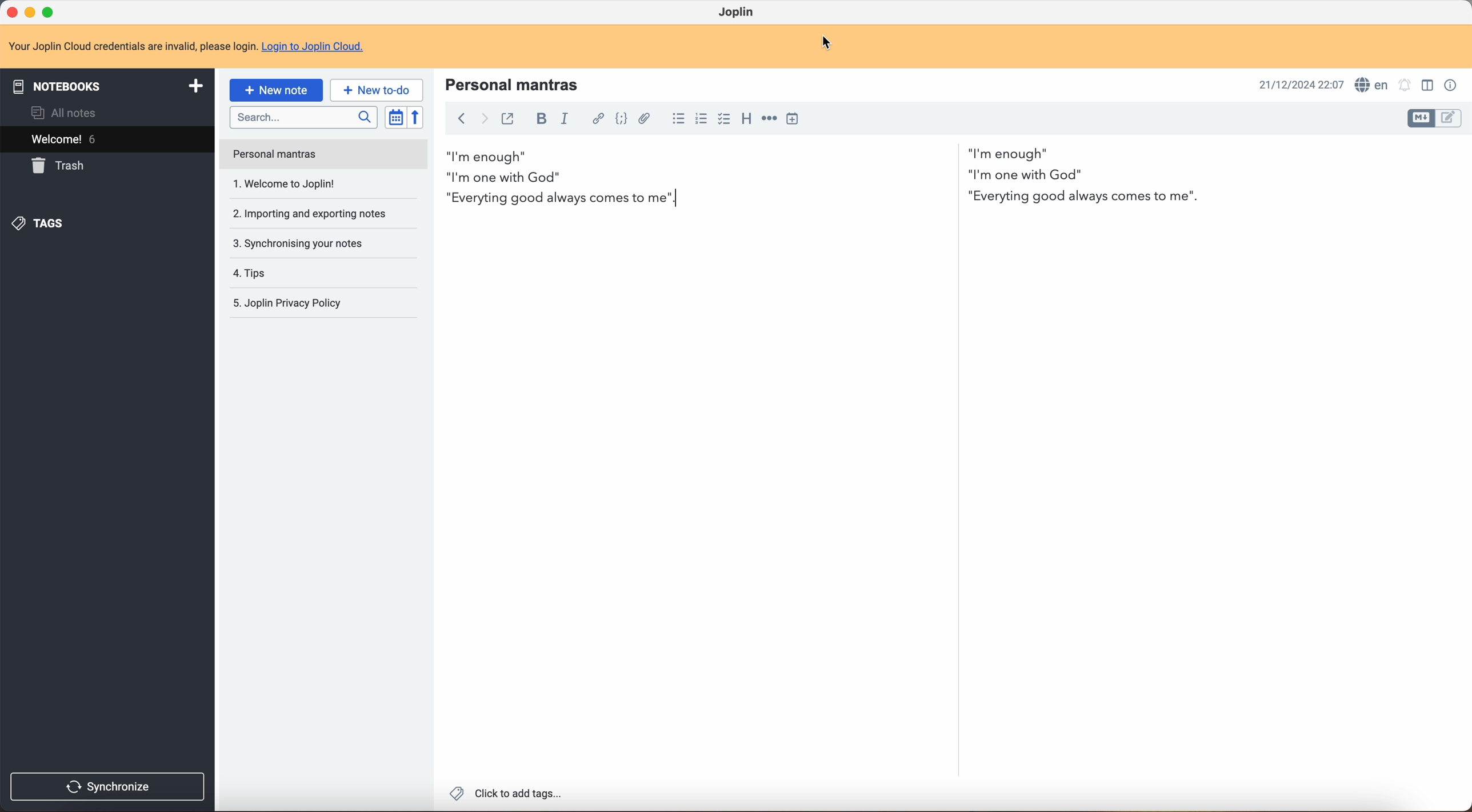 The width and height of the screenshot is (1472, 812). What do you see at coordinates (30, 11) in the screenshot?
I see `minimize program` at bounding box center [30, 11].